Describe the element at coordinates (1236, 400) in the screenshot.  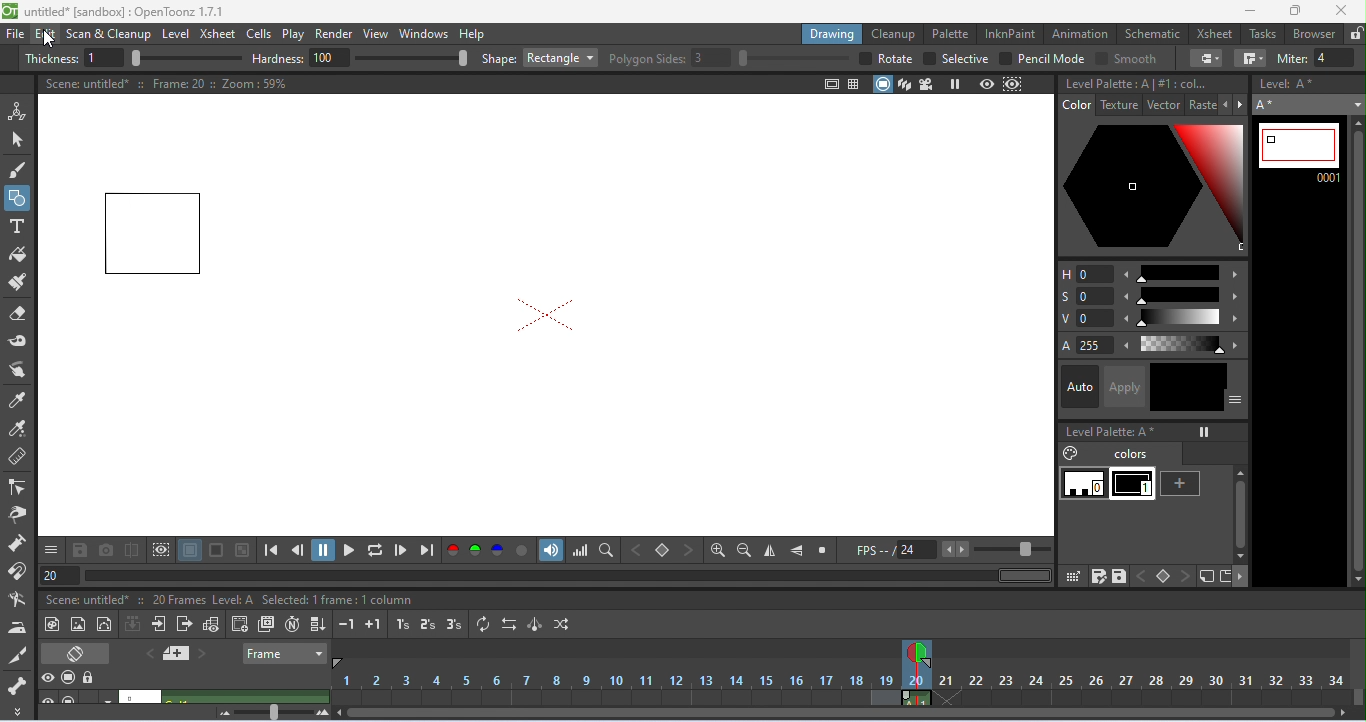
I see `show or hide` at that location.